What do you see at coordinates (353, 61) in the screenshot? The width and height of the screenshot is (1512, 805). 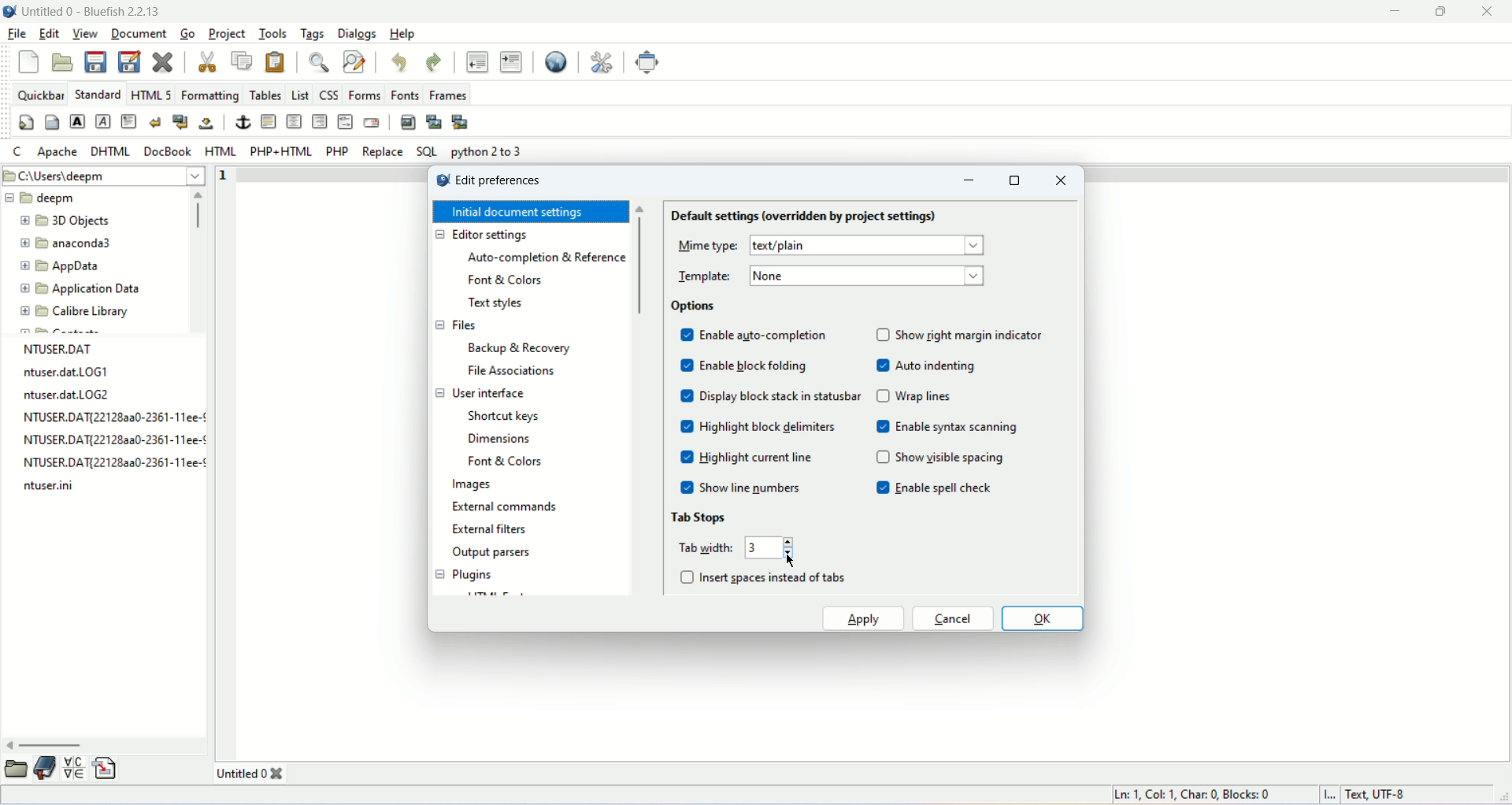 I see `advanced find and replace` at bounding box center [353, 61].